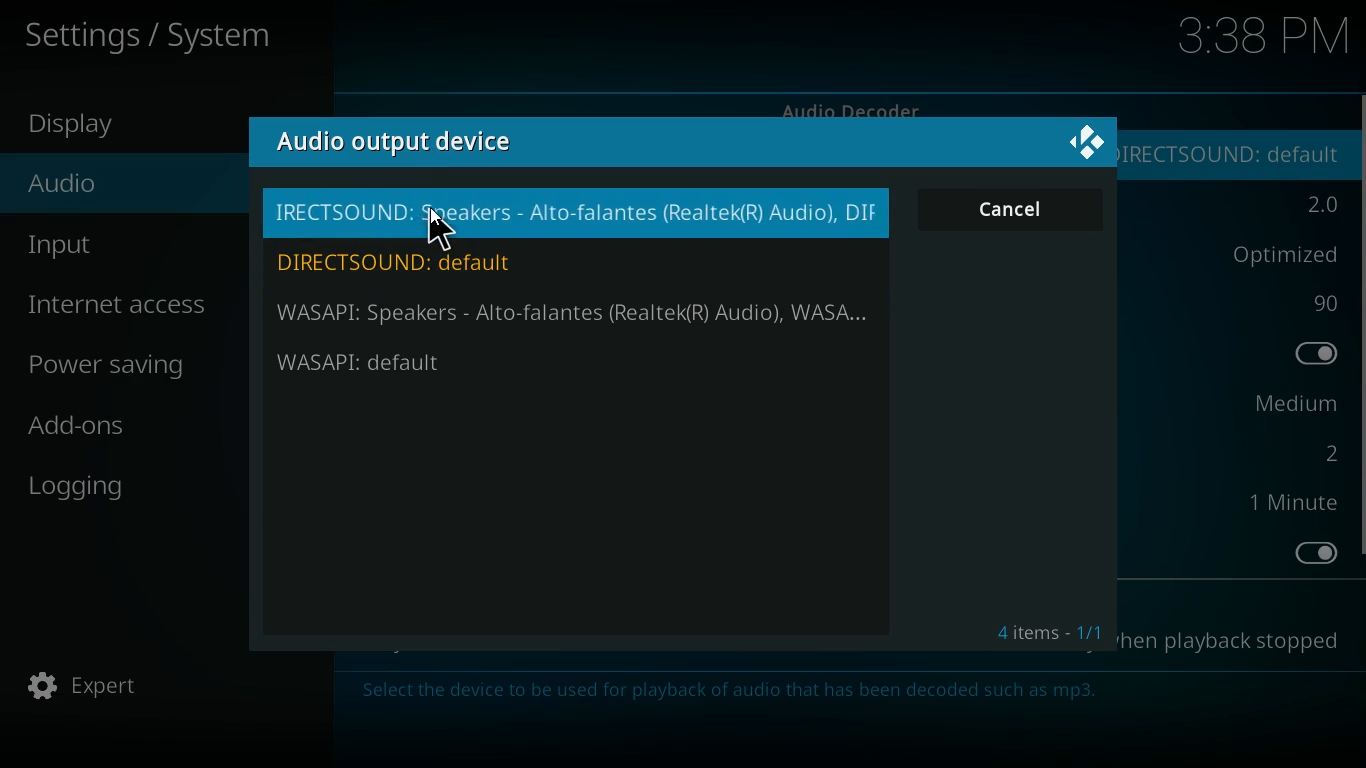  I want to click on option, so click(1316, 204).